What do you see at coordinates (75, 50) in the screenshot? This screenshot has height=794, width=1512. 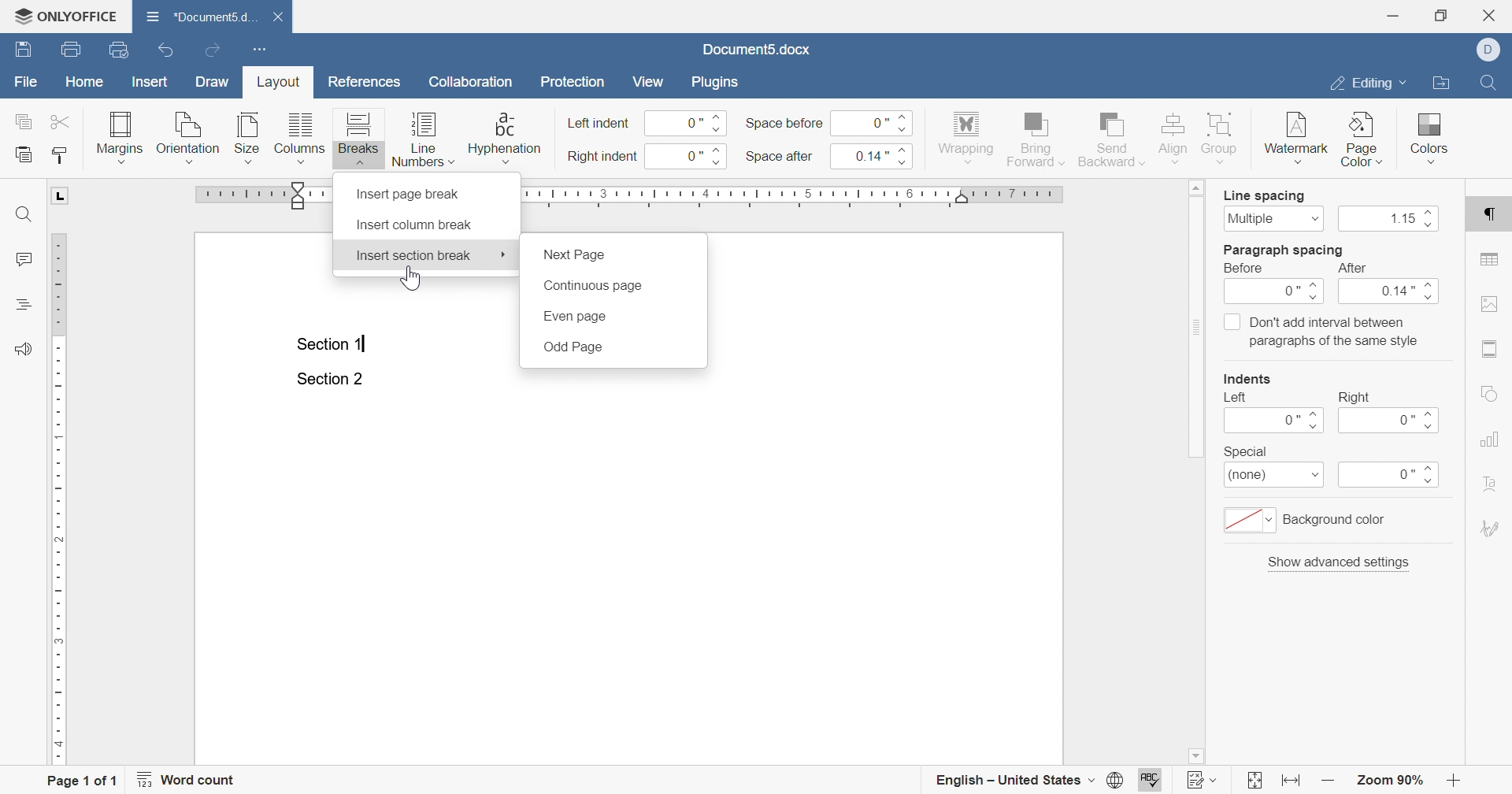 I see `print` at bounding box center [75, 50].